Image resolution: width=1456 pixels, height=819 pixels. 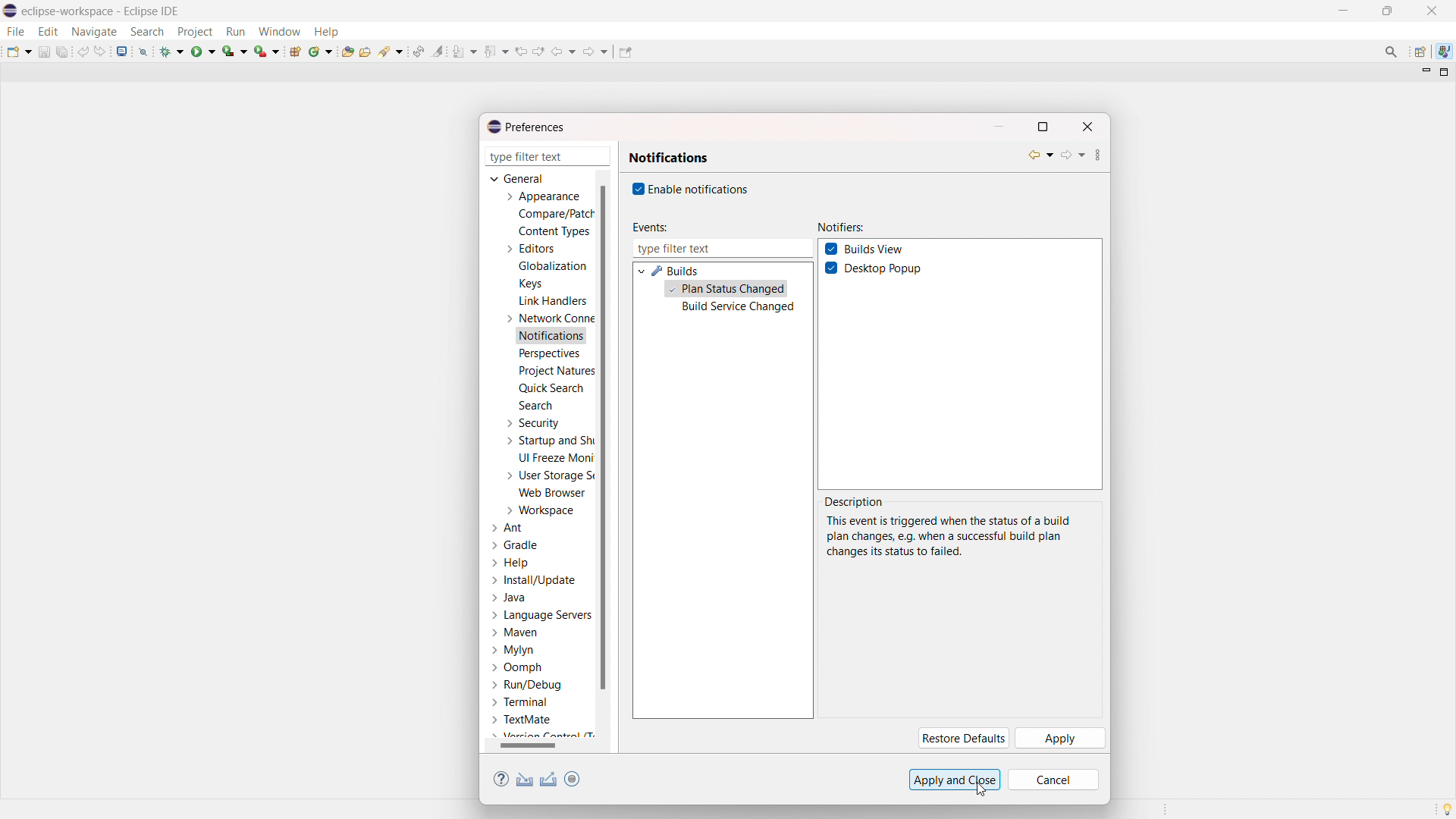 I want to click on java, so click(x=1445, y=52).